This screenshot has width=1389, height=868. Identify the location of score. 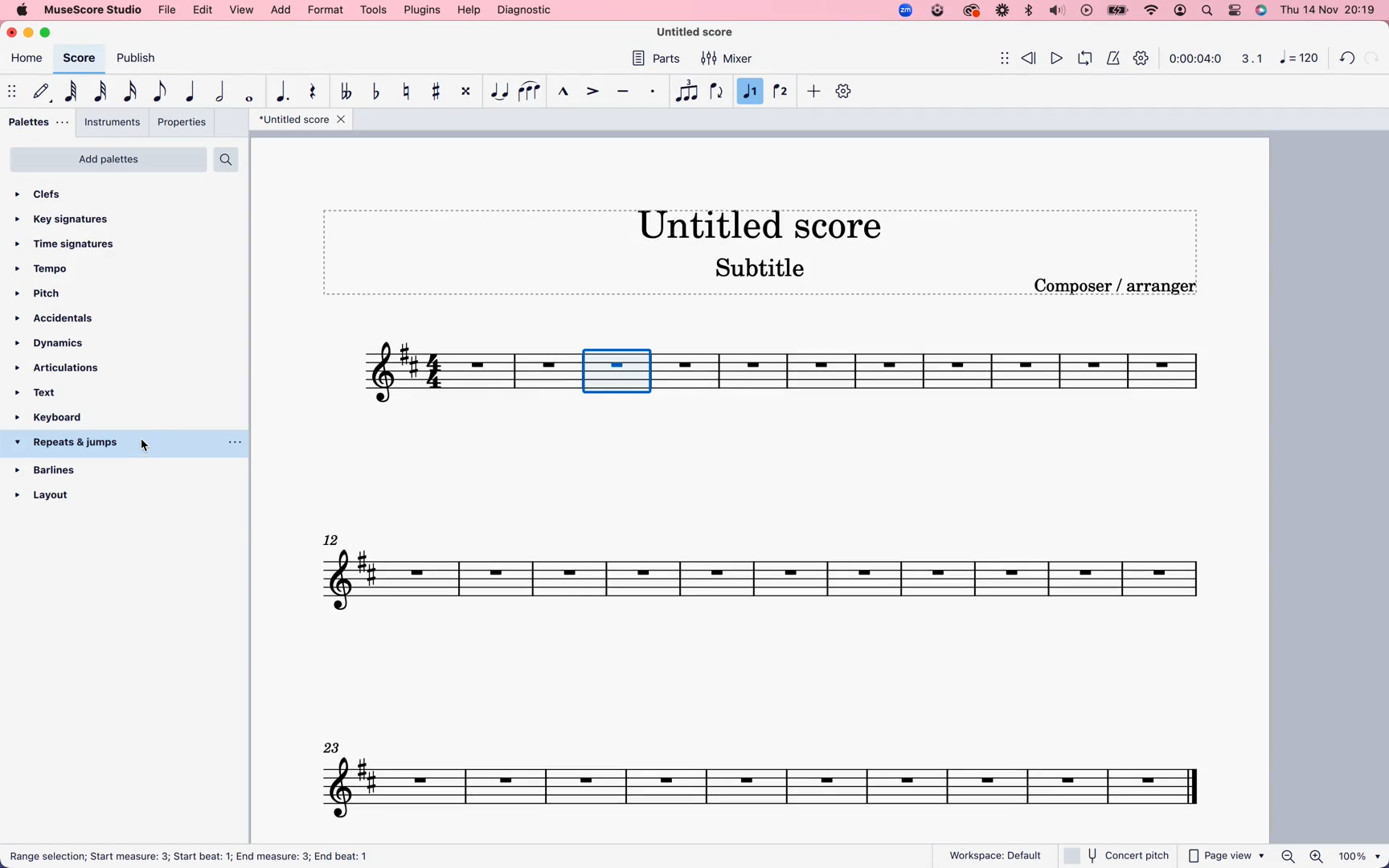
(79, 58).